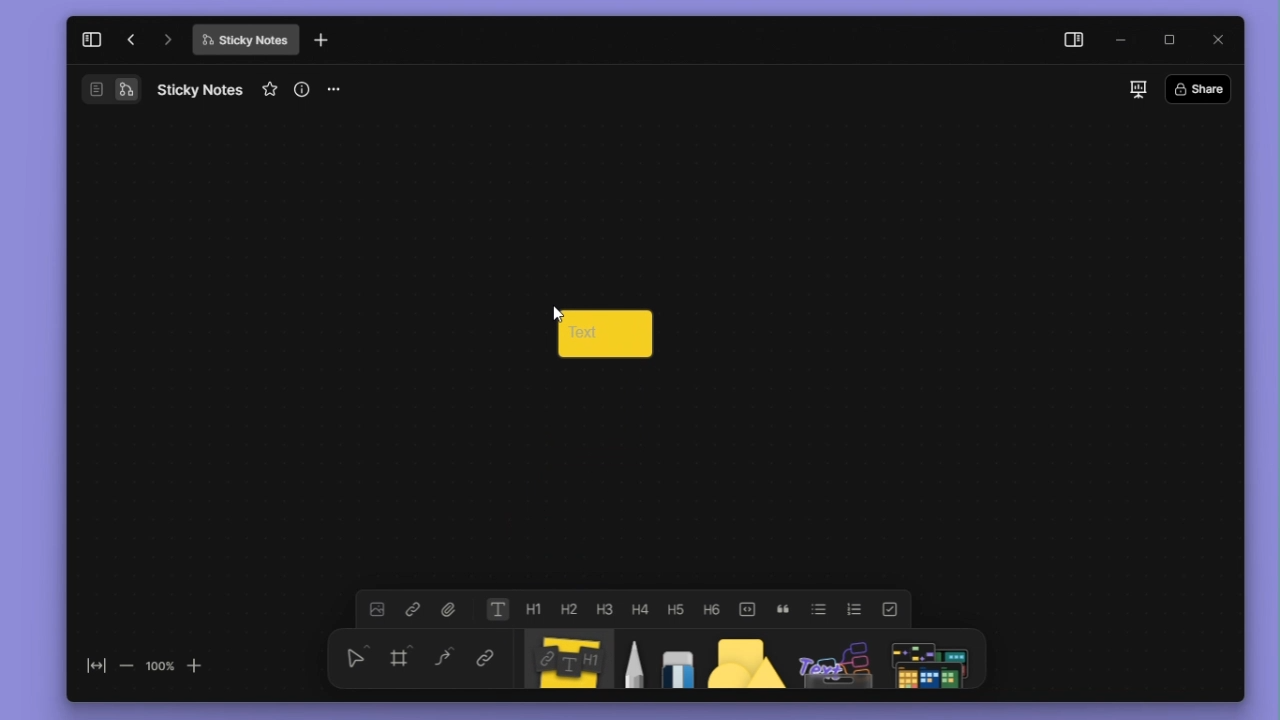  I want to click on collapse sidebar, so click(91, 47).